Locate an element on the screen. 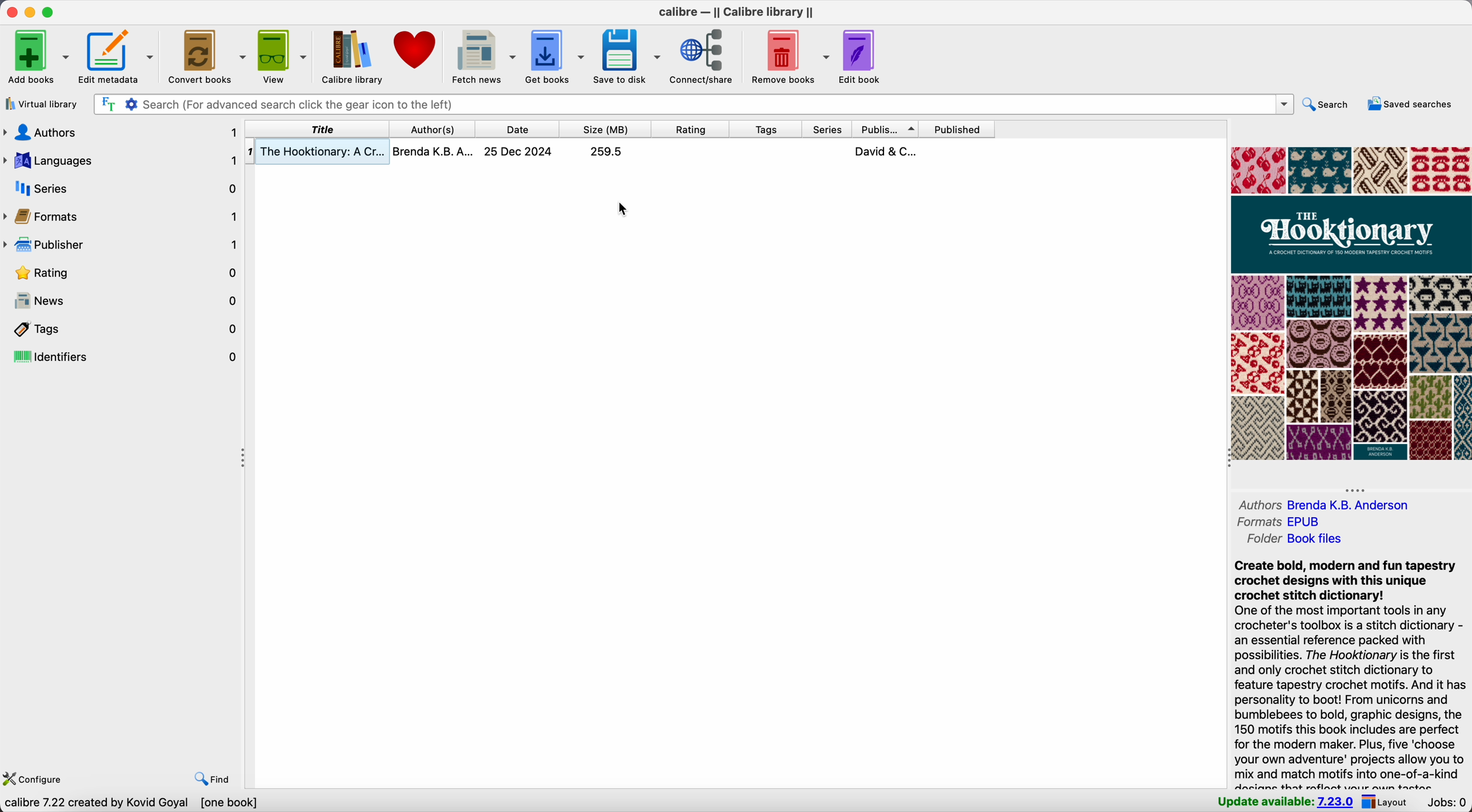  search bar is located at coordinates (690, 105).